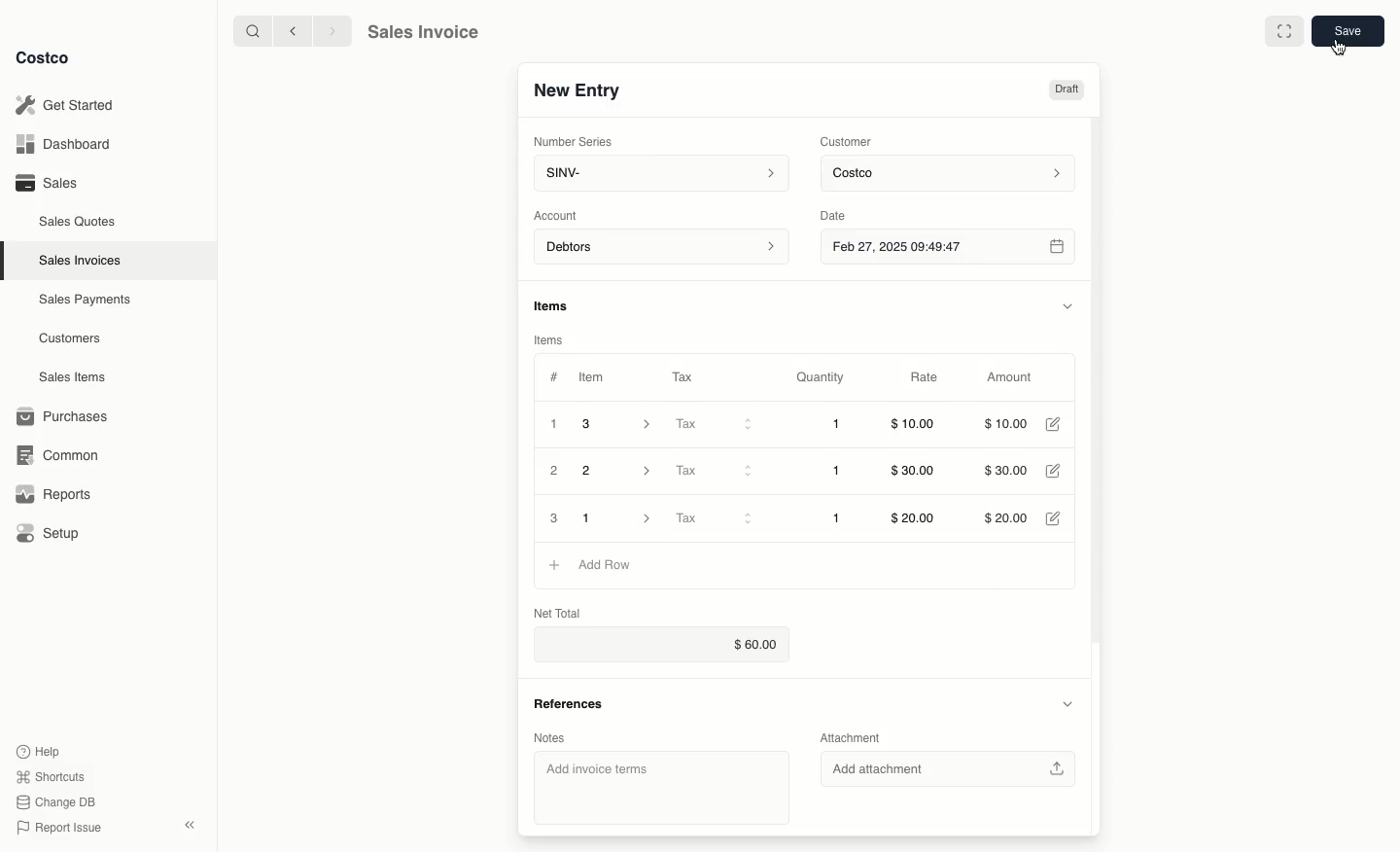 The height and width of the screenshot is (852, 1400). Describe the element at coordinates (50, 535) in the screenshot. I see `Setup` at that location.